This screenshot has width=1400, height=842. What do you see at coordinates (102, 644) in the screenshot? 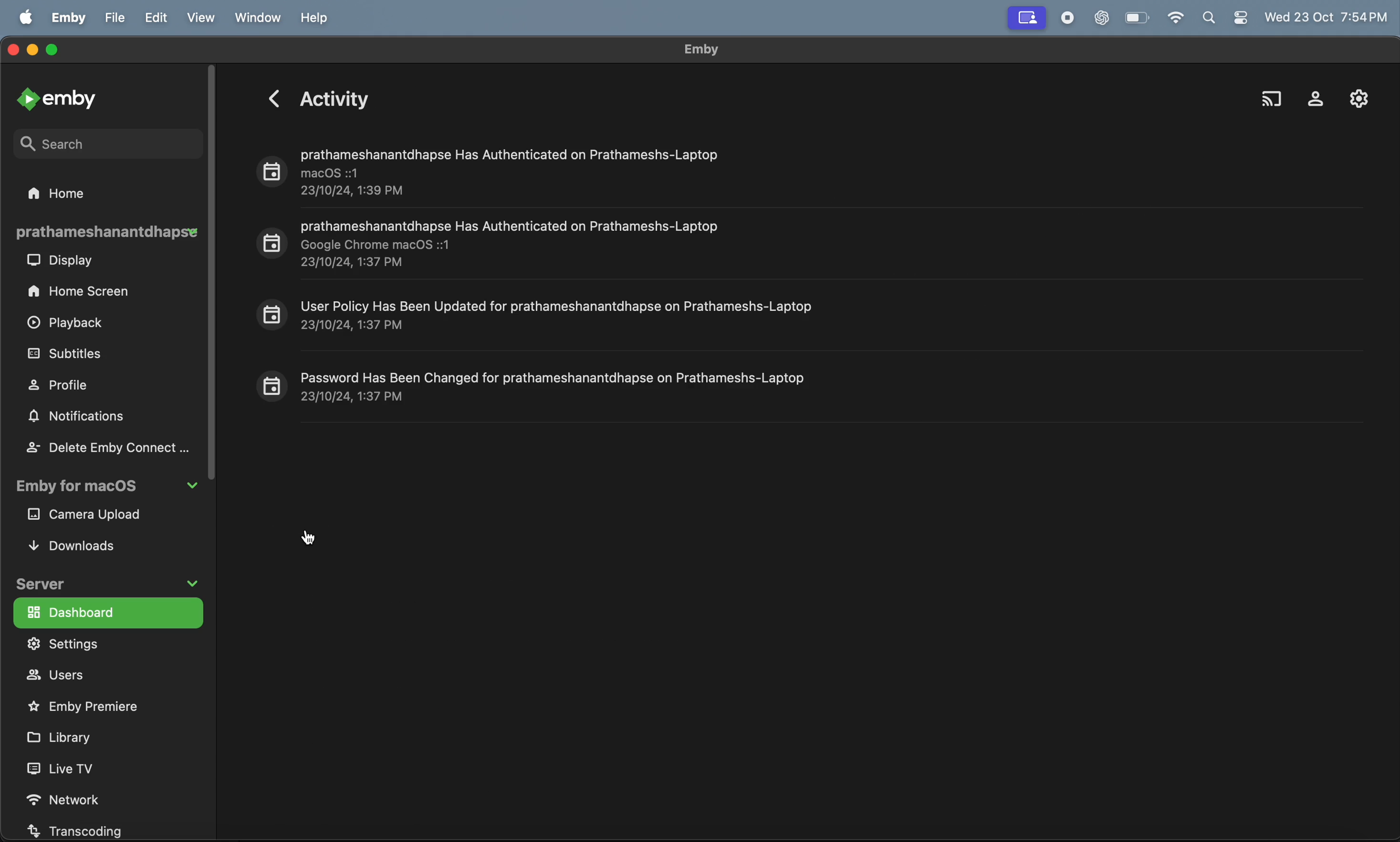
I see `settings` at bounding box center [102, 644].